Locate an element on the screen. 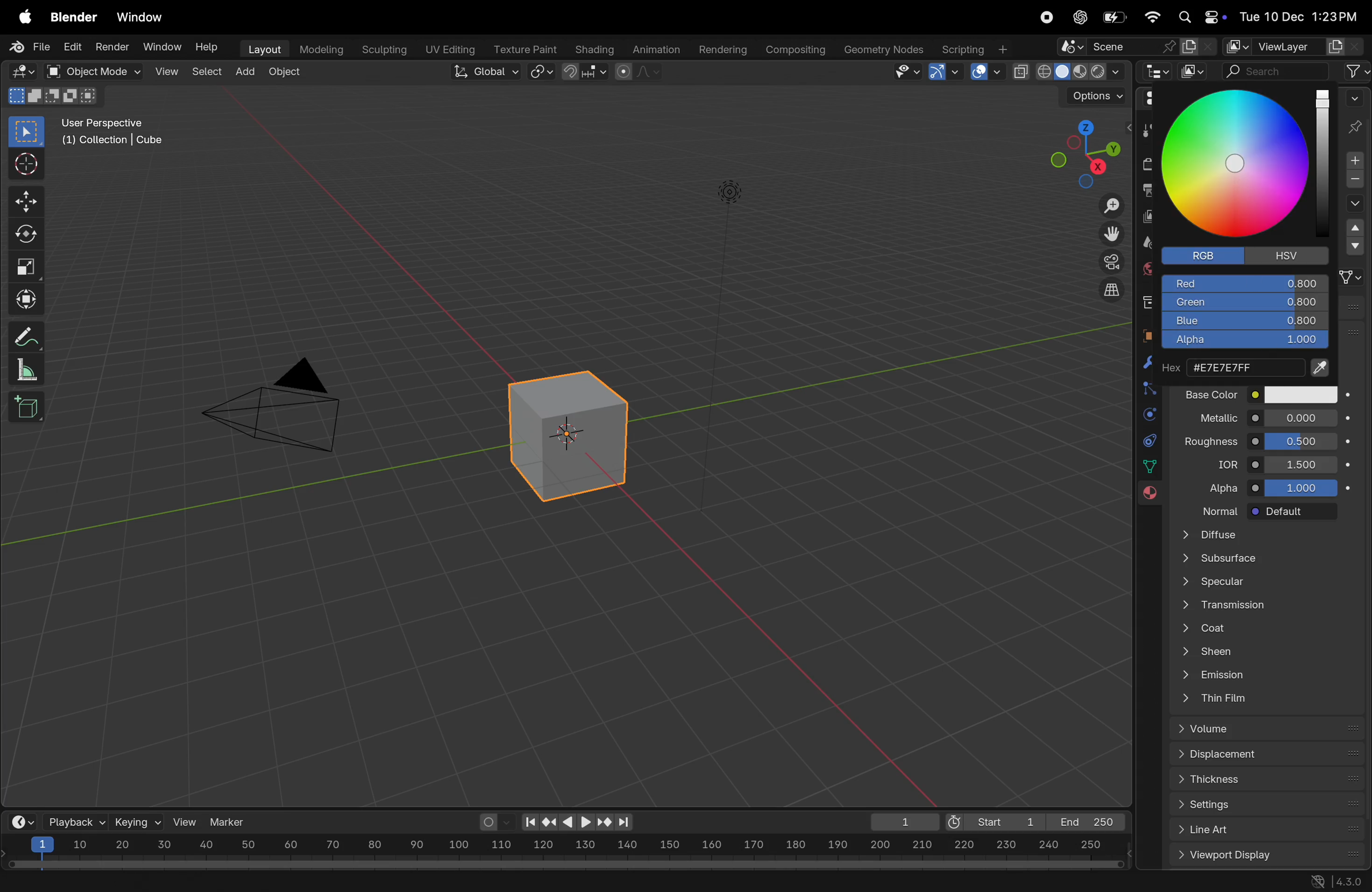 This screenshot has width=1372, height=892. auto keying is located at coordinates (493, 822).